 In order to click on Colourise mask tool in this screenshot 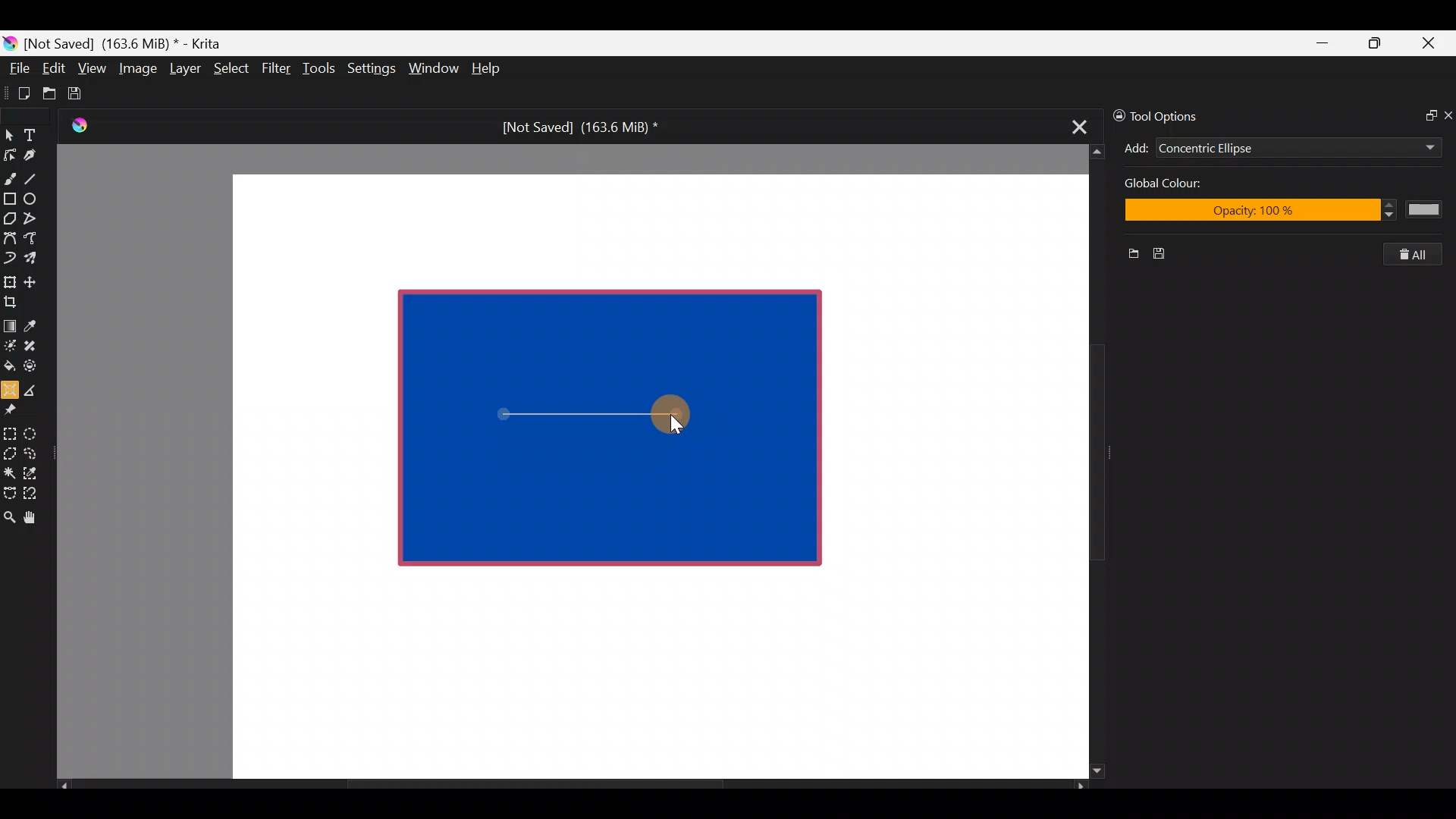, I will do `click(10, 344)`.